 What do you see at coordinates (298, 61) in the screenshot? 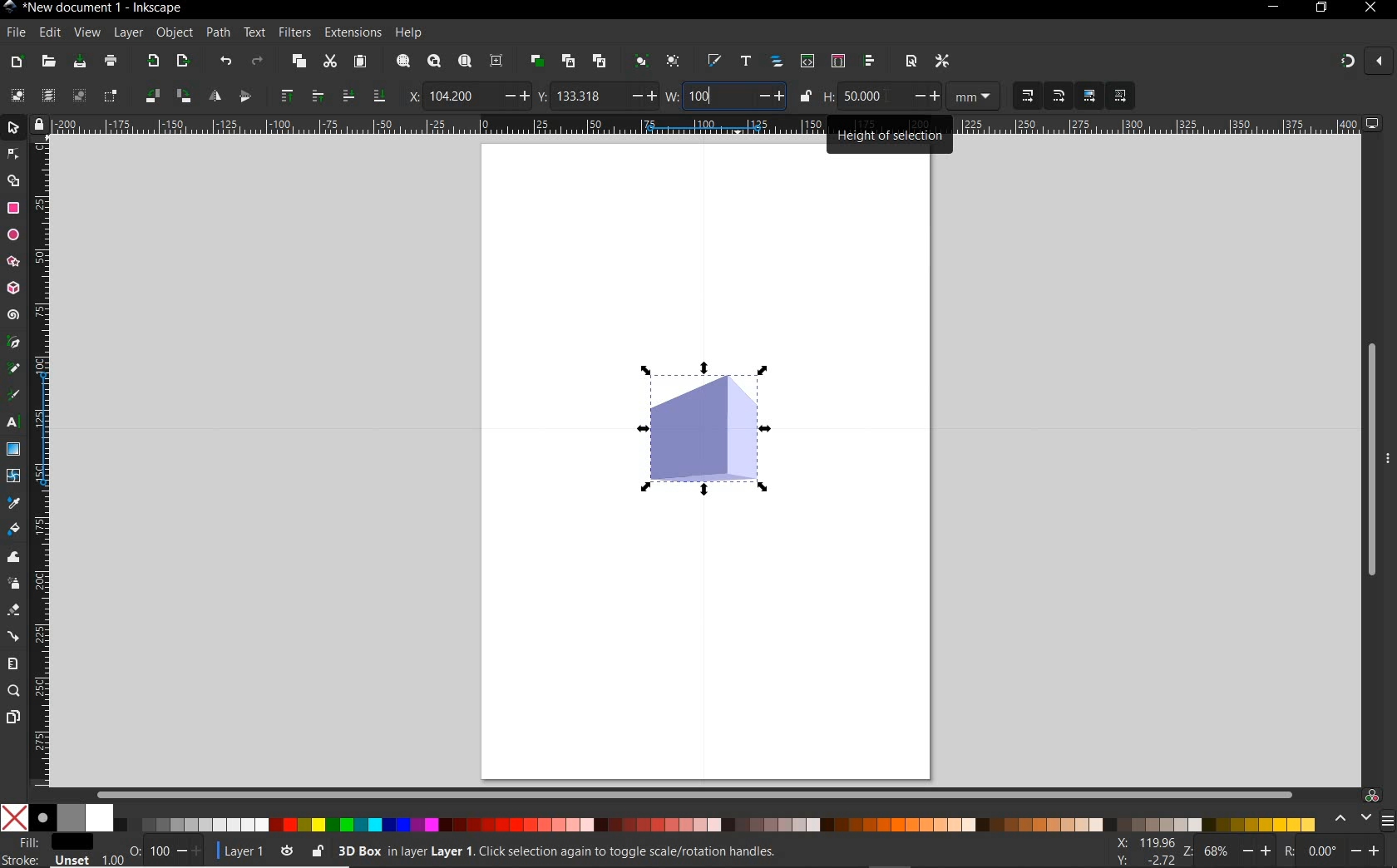
I see `copy` at bounding box center [298, 61].